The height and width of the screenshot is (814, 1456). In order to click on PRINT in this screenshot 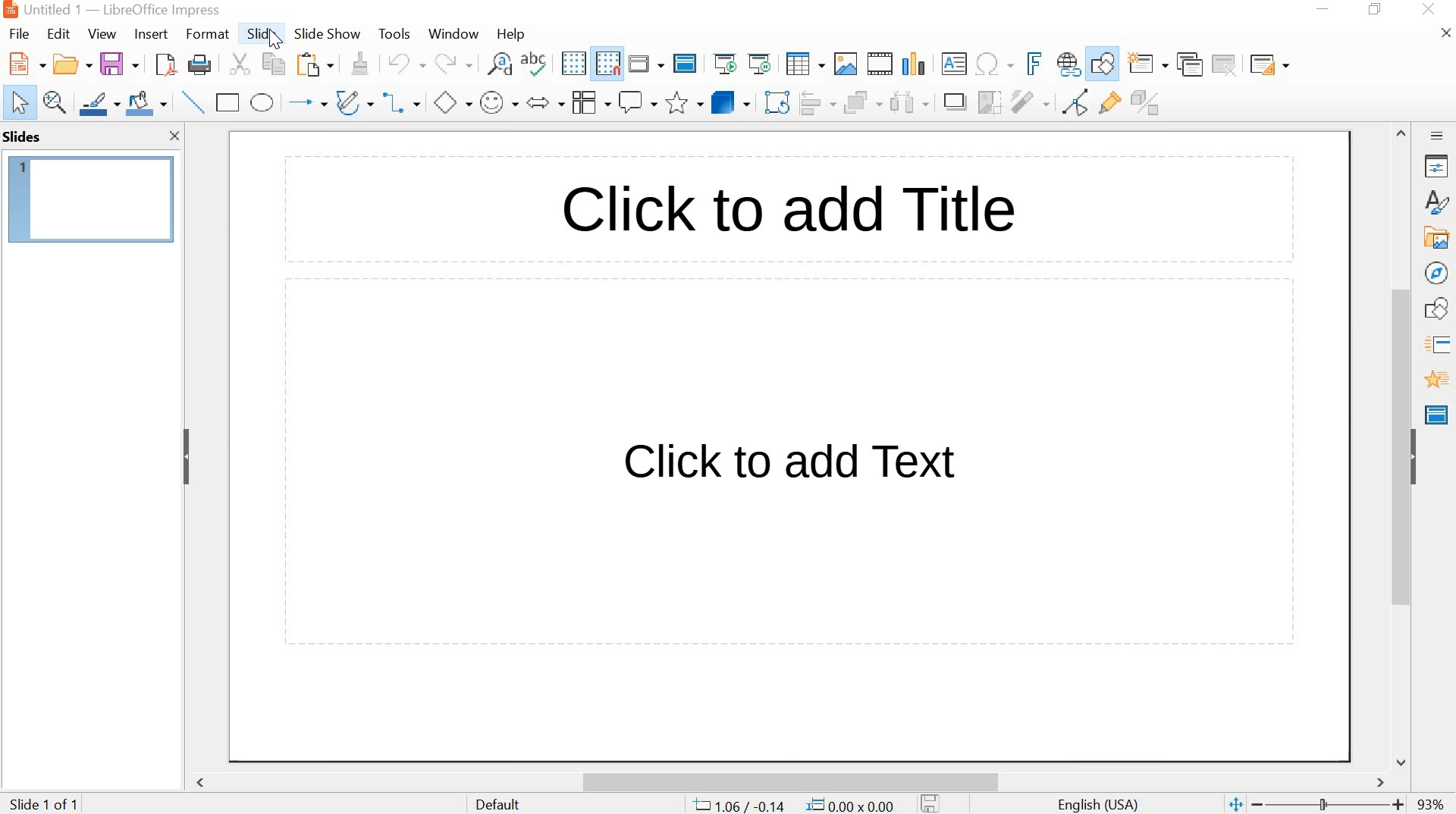, I will do `click(201, 66)`.